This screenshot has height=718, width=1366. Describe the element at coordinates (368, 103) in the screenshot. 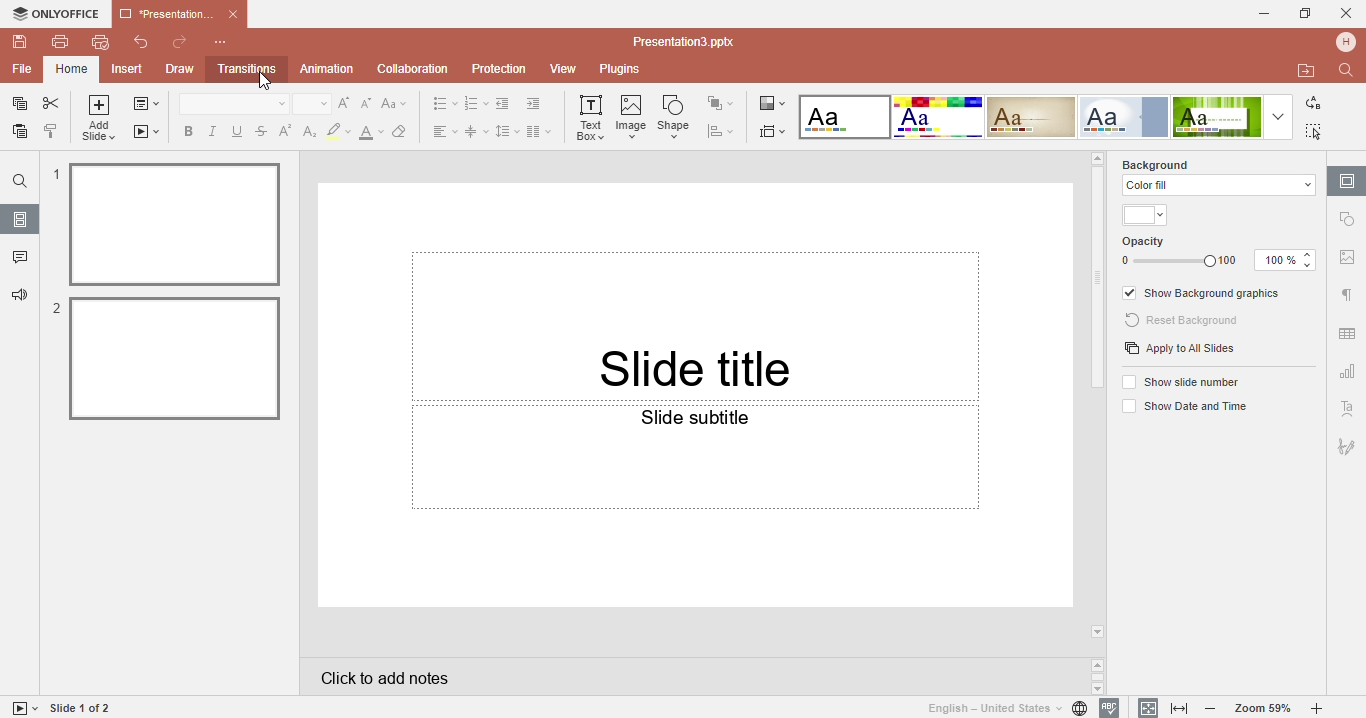

I see `Decrement font size` at that location.